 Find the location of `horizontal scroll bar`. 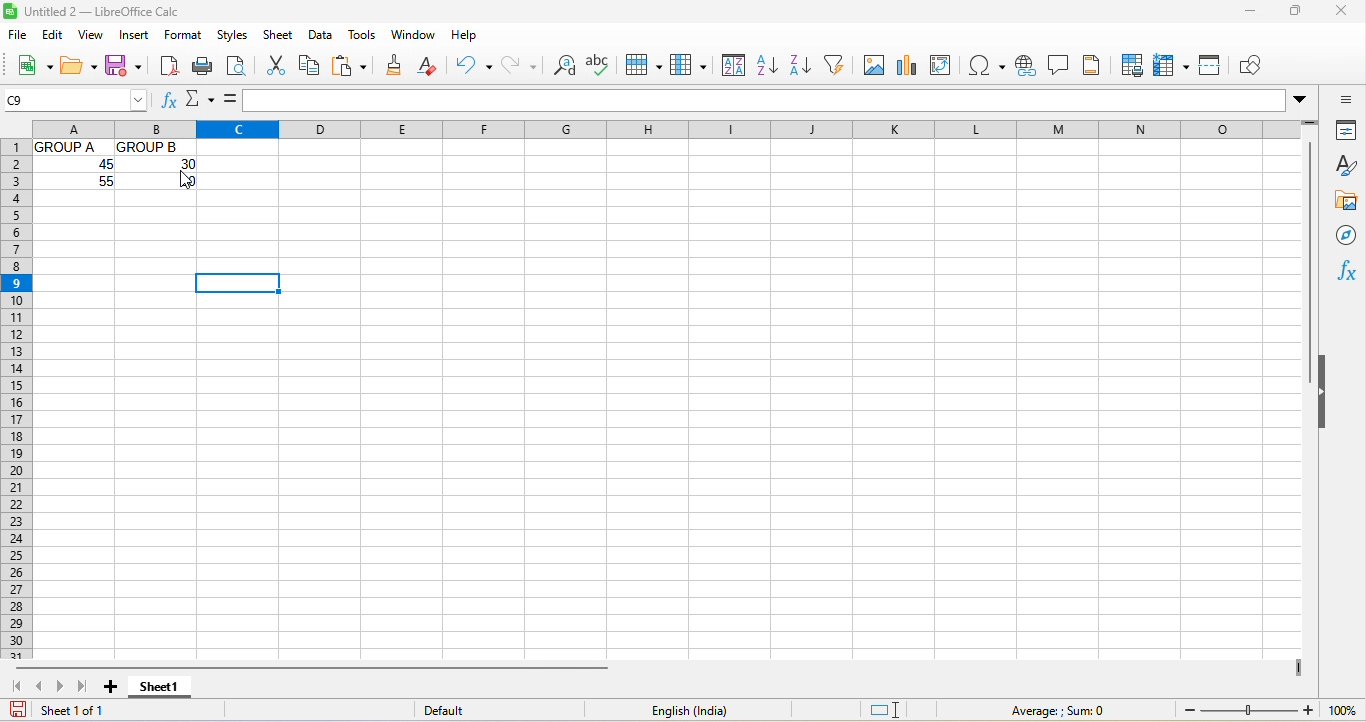

horizontal scroll bar is located at coordinates (310, 667).